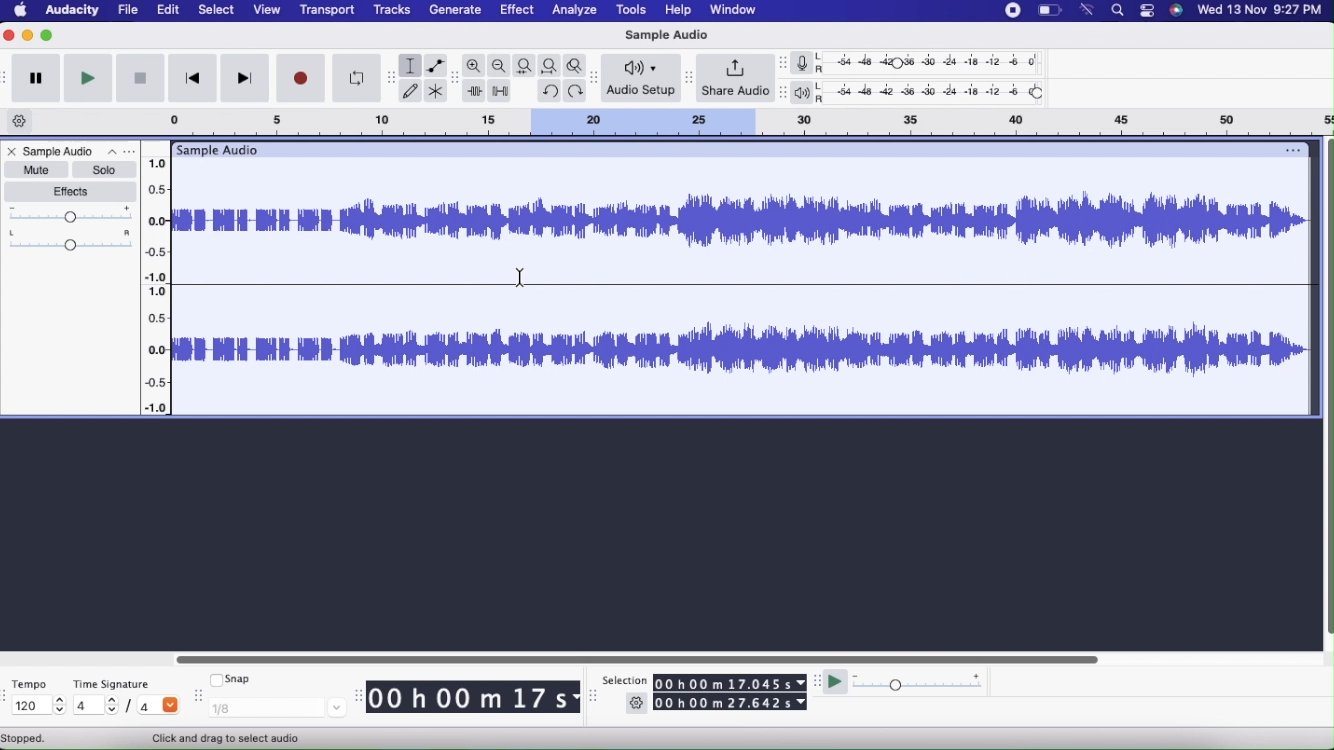 This screenshot has height=750, width=1334. What do you see at coordinates (8, 695) in the screenshot?
I see `move toolbar` at bounding box center [8, 695].